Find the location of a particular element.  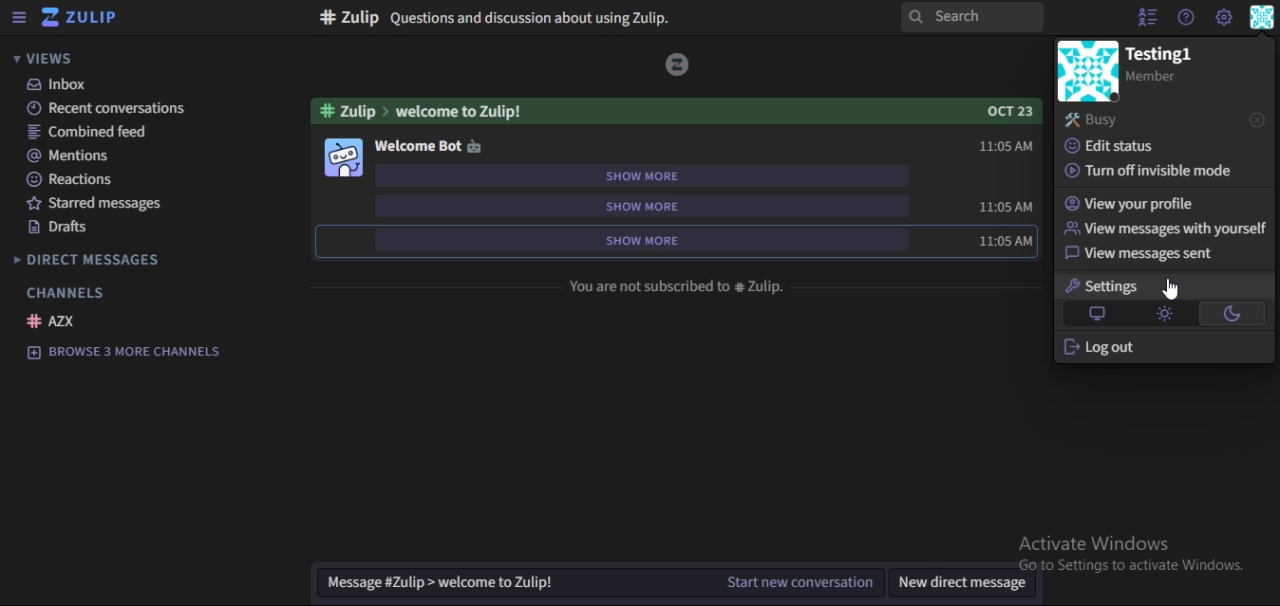

search is located at coordinates (976, 18).